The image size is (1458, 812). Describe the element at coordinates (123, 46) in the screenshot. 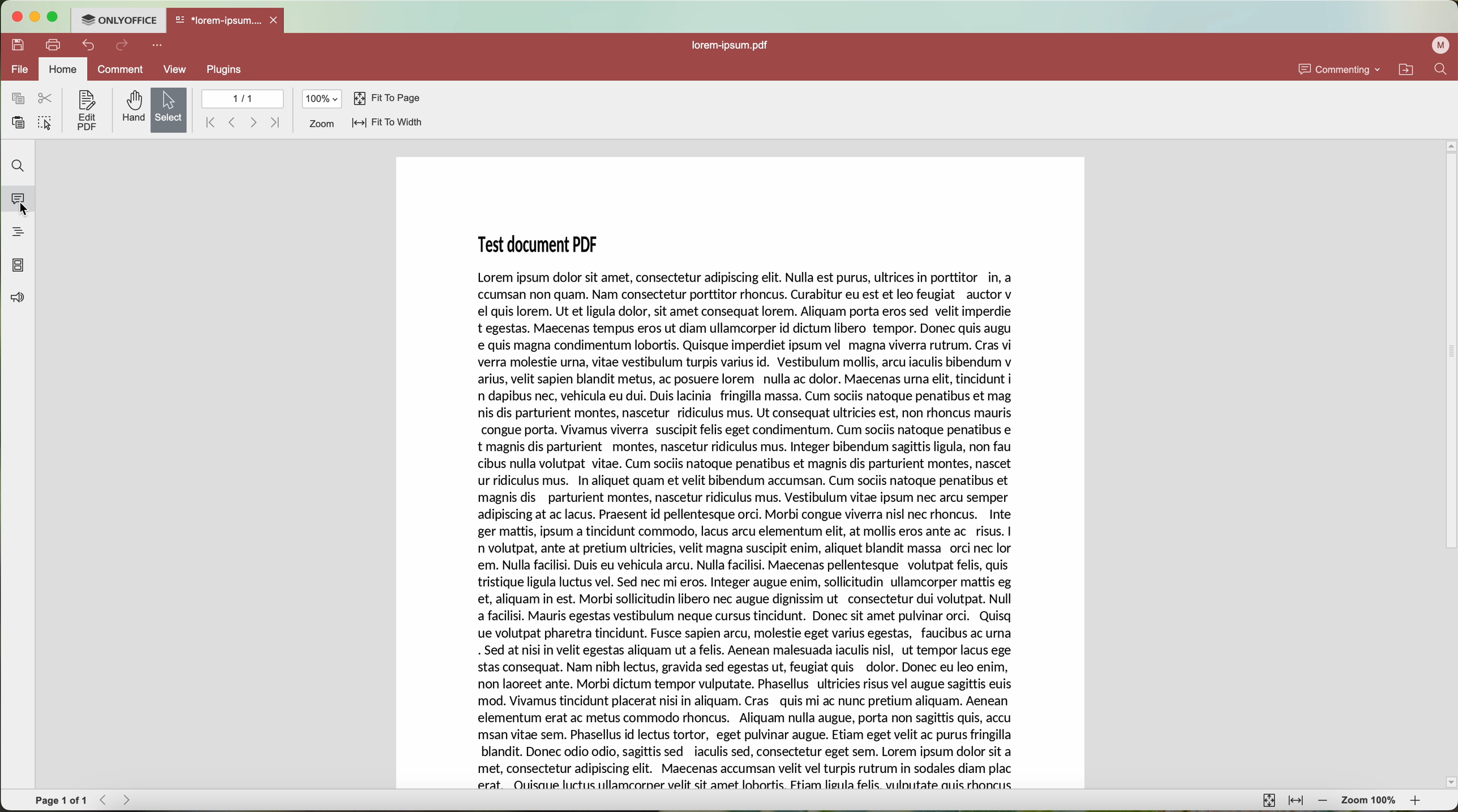

I see `redo` at that location.